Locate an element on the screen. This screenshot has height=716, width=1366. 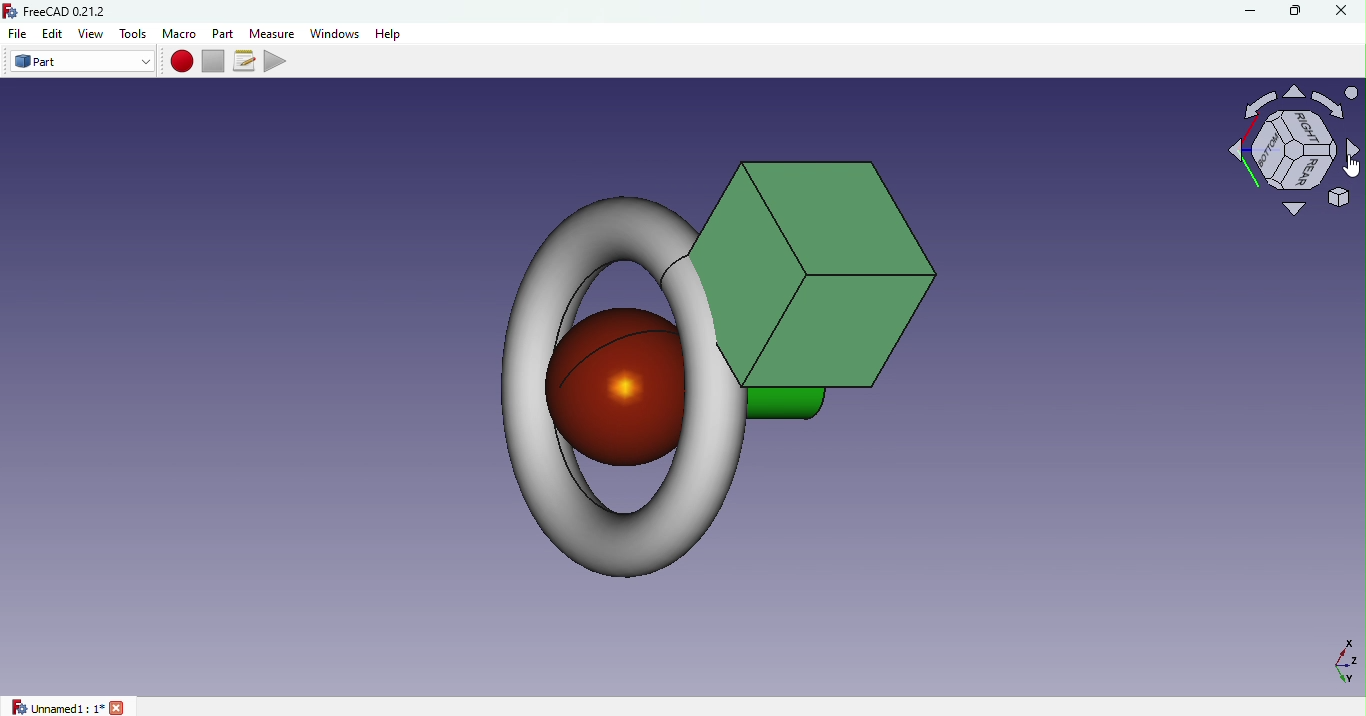
cursor is located at coordinates (1348, 166).